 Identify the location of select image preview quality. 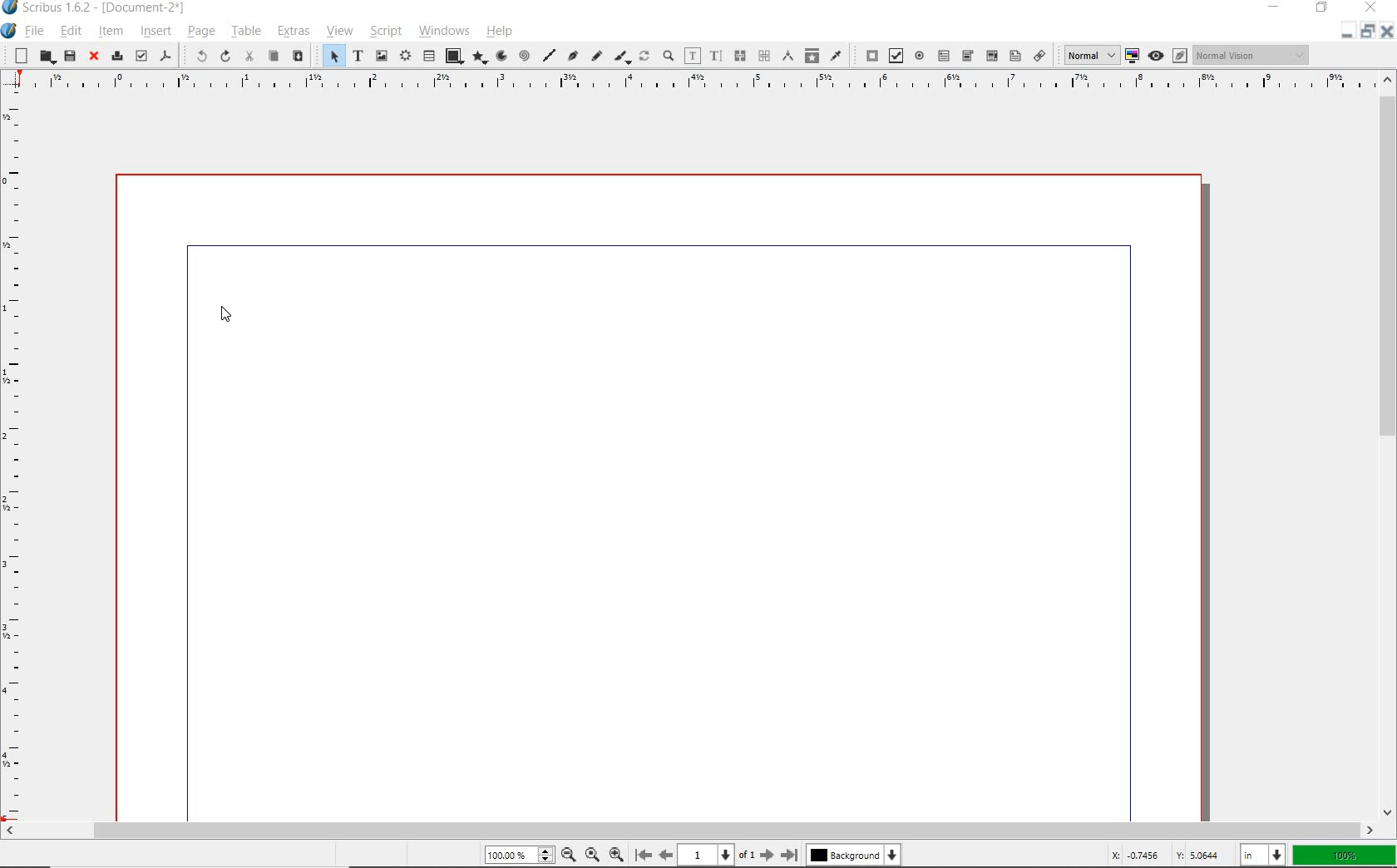
(1086, 55).